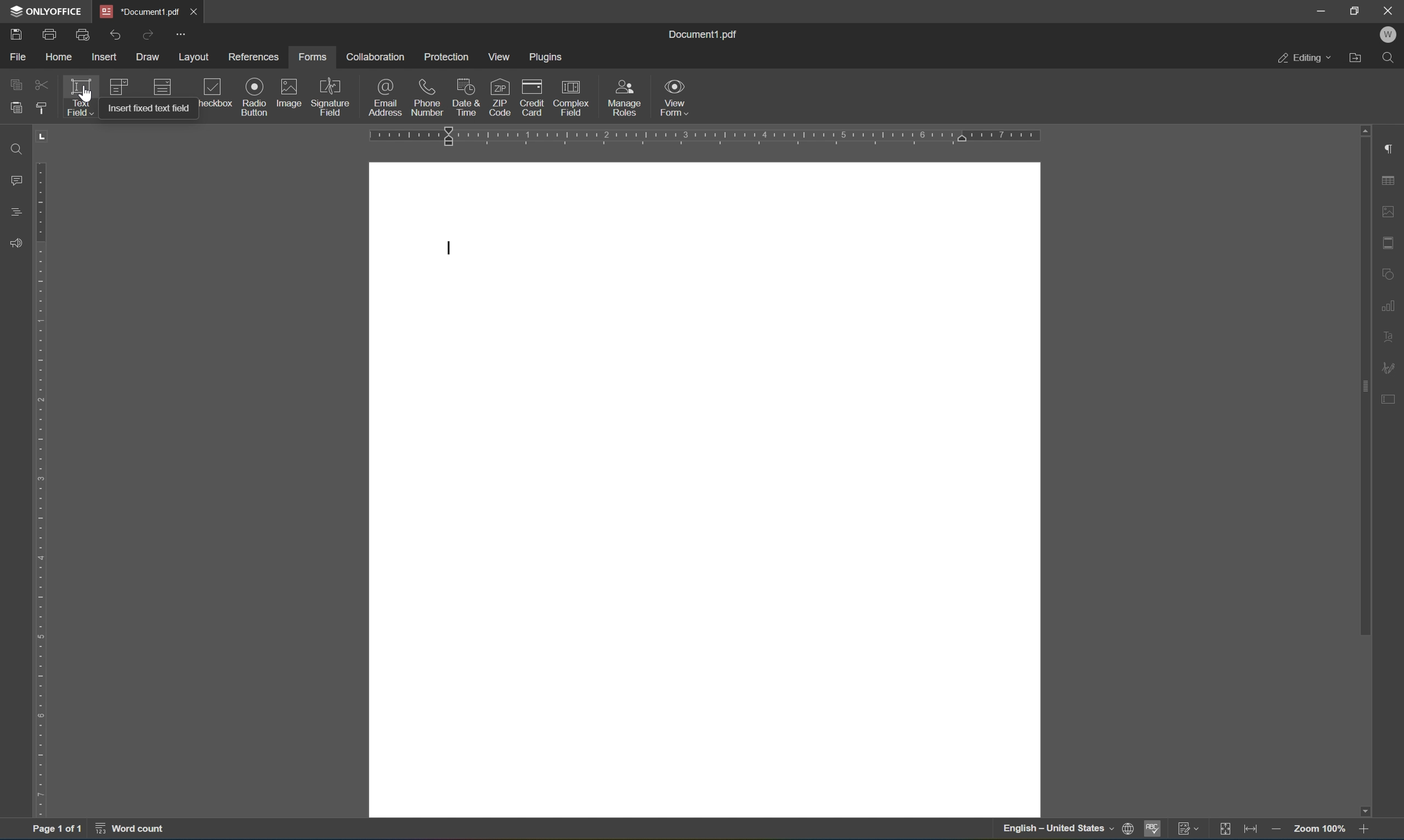  What do you see at coordinates (1304, 57) in the screenshot?
I see `editing` at bounding box center [1304, 57].